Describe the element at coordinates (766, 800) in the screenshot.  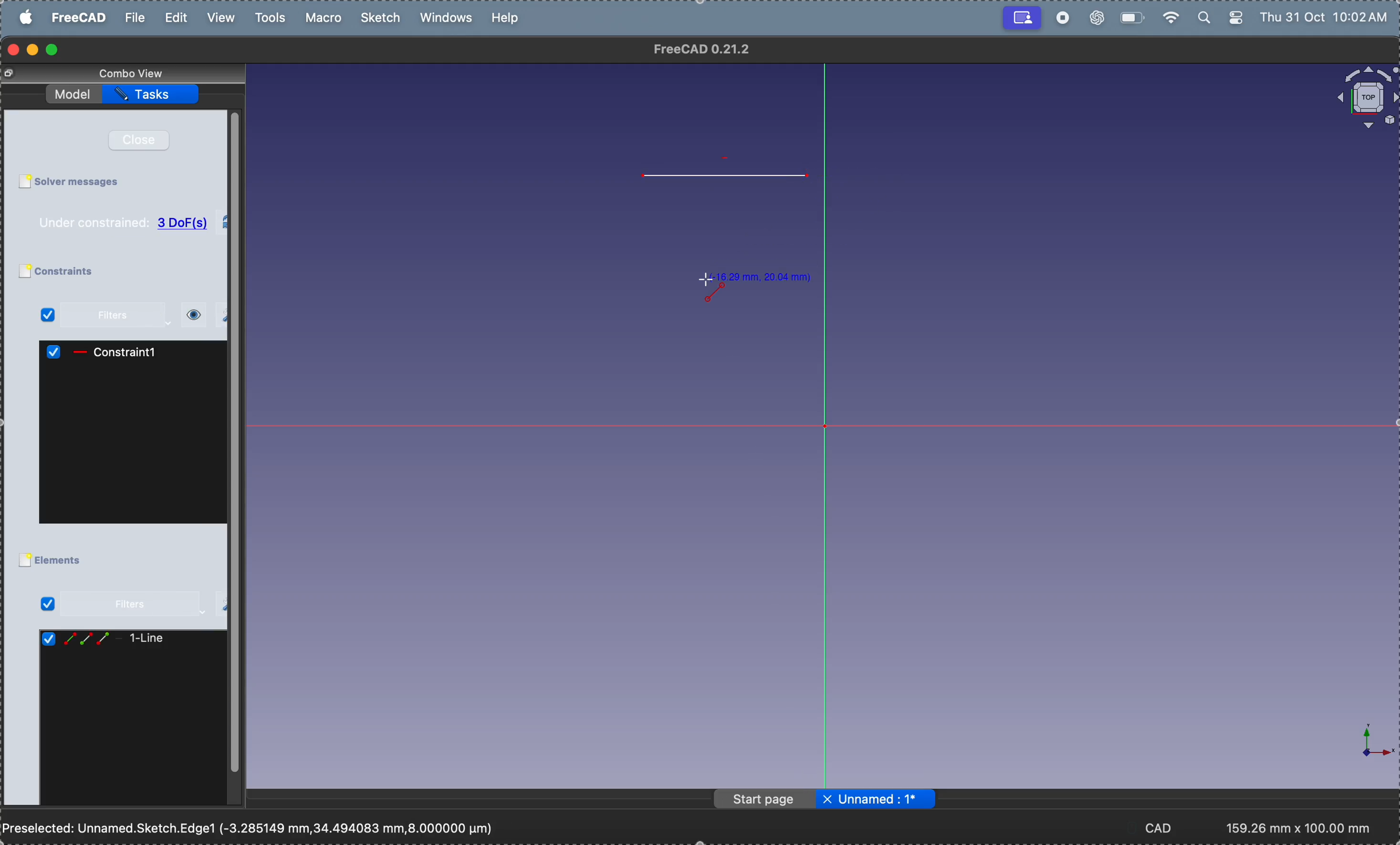
I see `page start` at that location.